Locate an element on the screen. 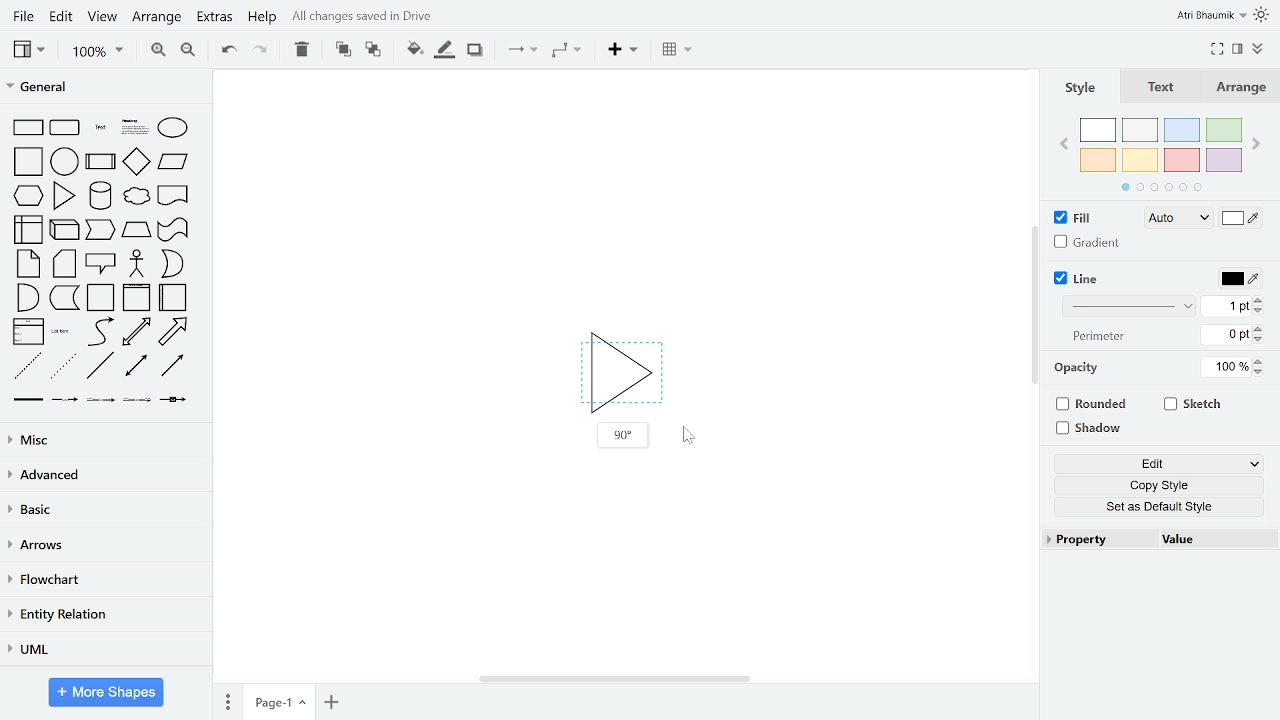  line is located at coordinates (1082, 278).